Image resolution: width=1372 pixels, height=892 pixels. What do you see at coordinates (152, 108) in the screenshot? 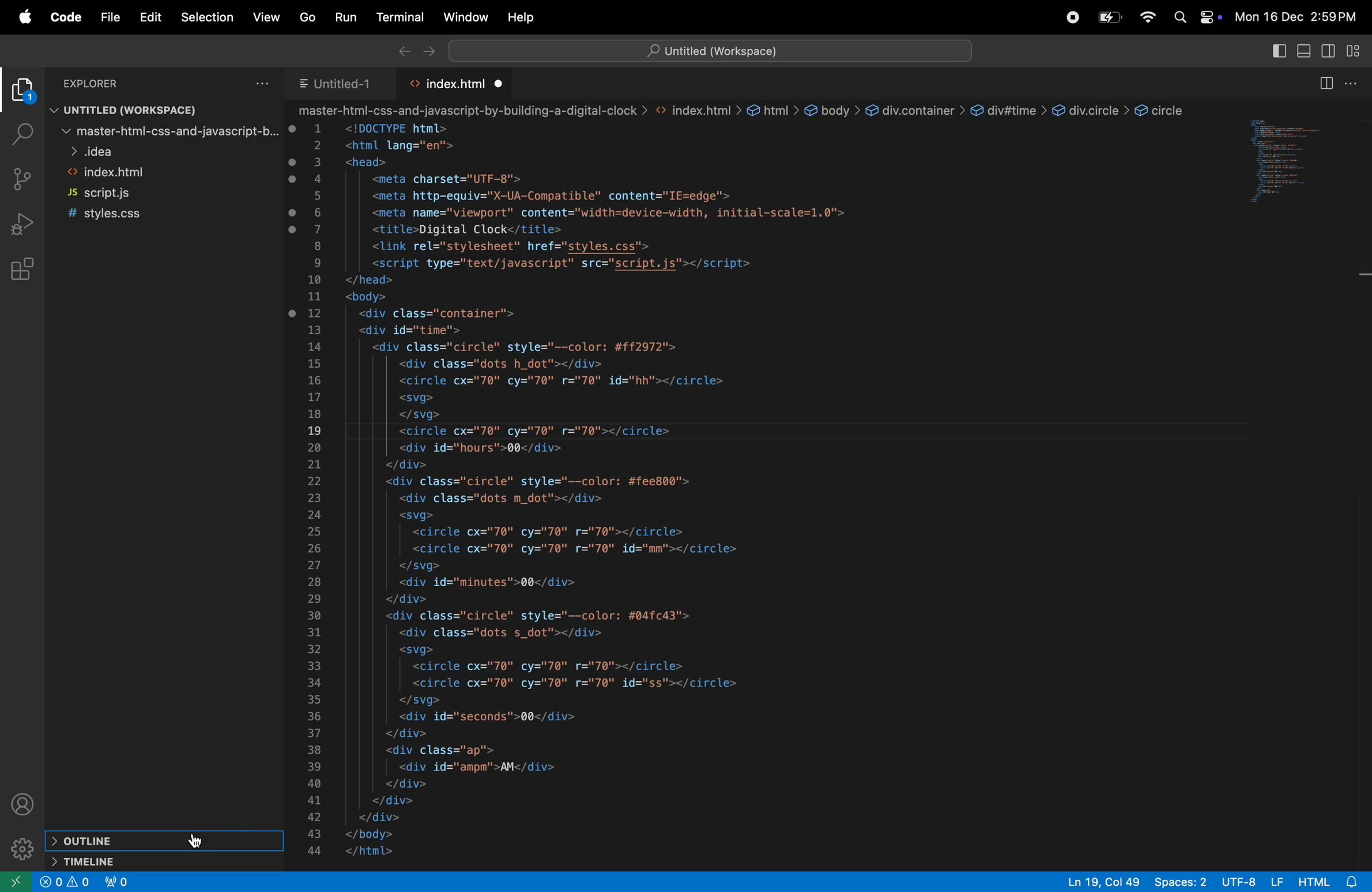
I see `untitled workspace` at bounding box center [152, 108].